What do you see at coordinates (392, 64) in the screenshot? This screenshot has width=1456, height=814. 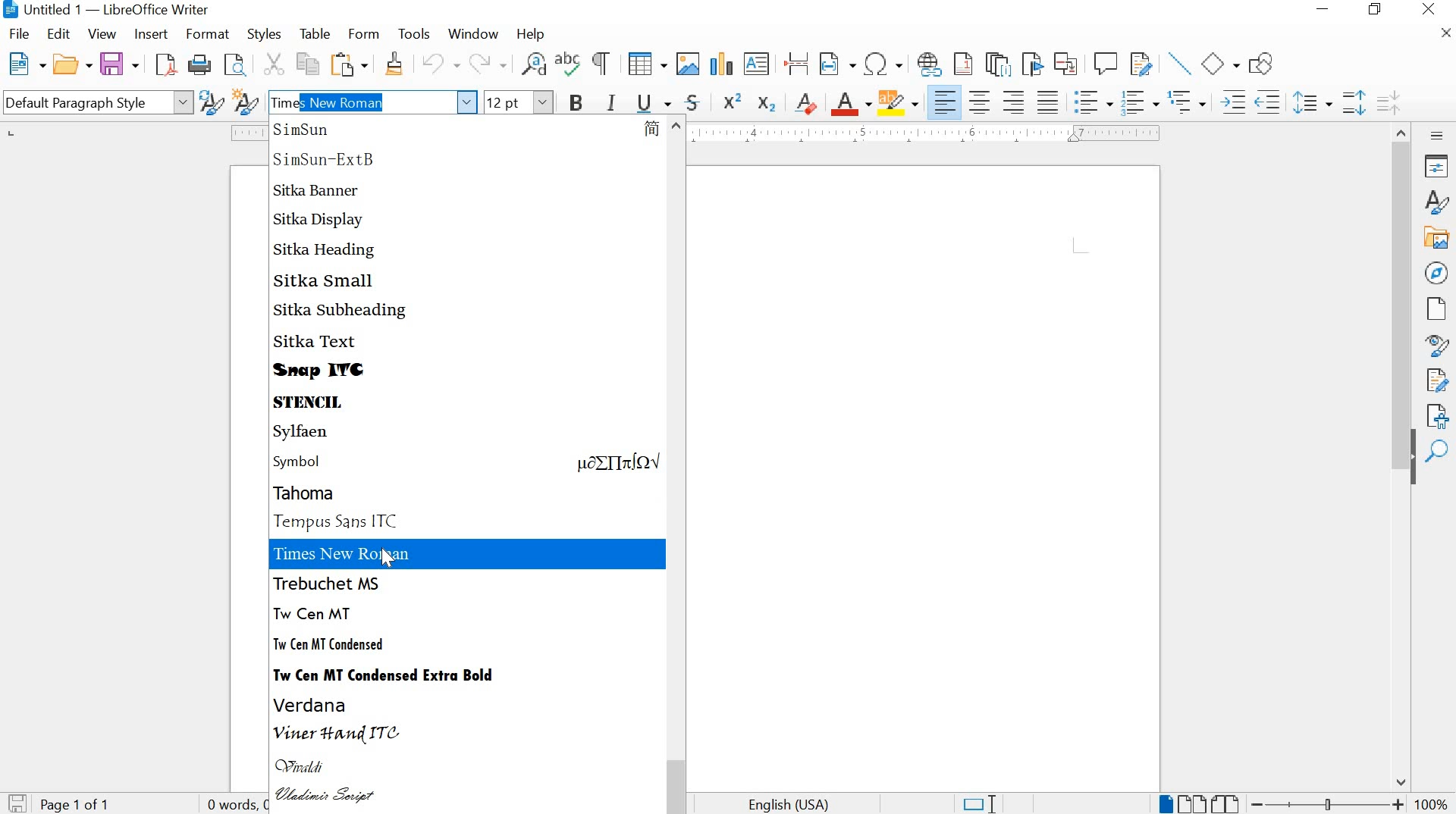 I see `CLONE FORMATTING` at bounding box center [392, 64].